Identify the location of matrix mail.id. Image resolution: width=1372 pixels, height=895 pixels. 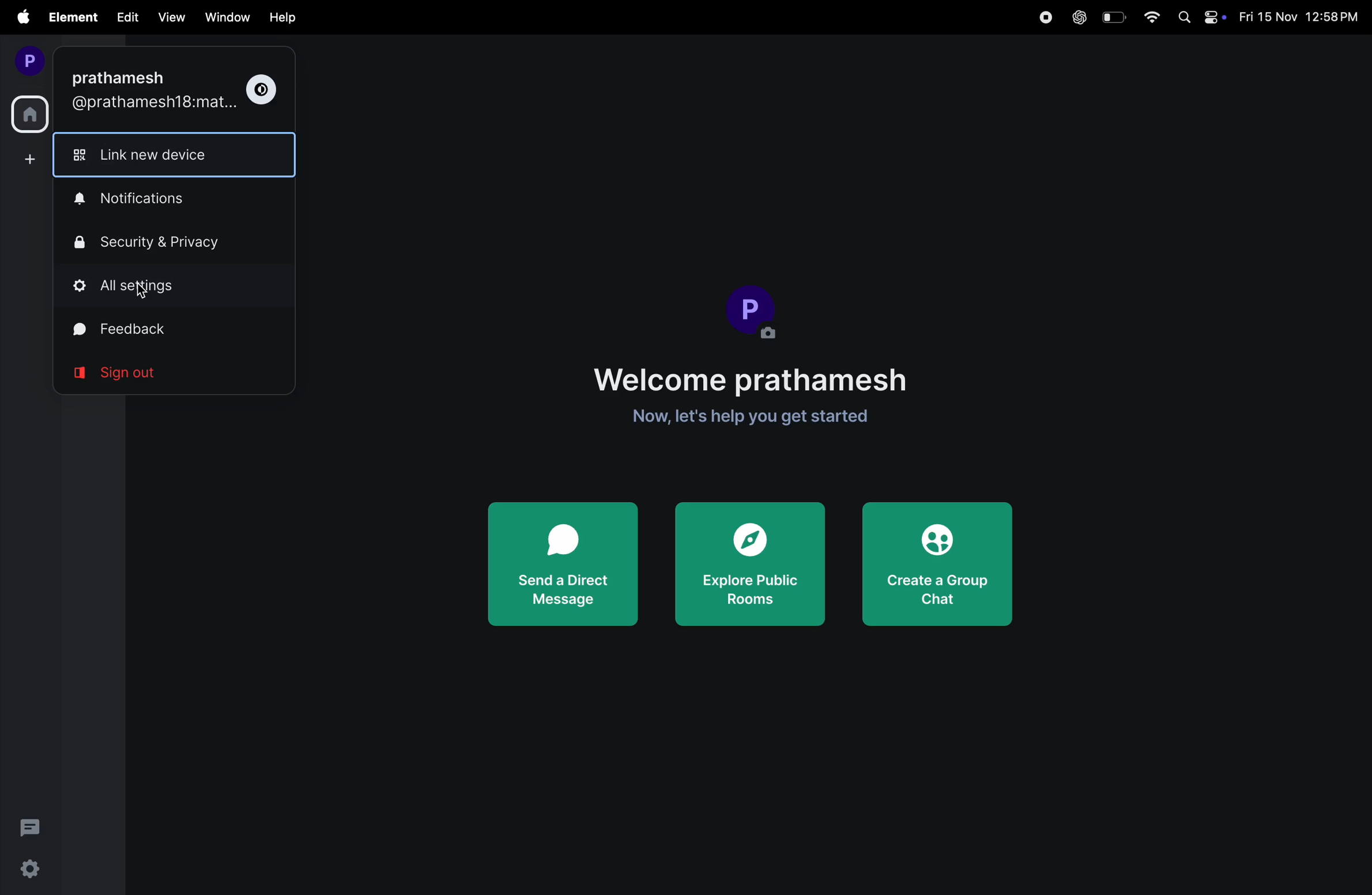
(150, 101).